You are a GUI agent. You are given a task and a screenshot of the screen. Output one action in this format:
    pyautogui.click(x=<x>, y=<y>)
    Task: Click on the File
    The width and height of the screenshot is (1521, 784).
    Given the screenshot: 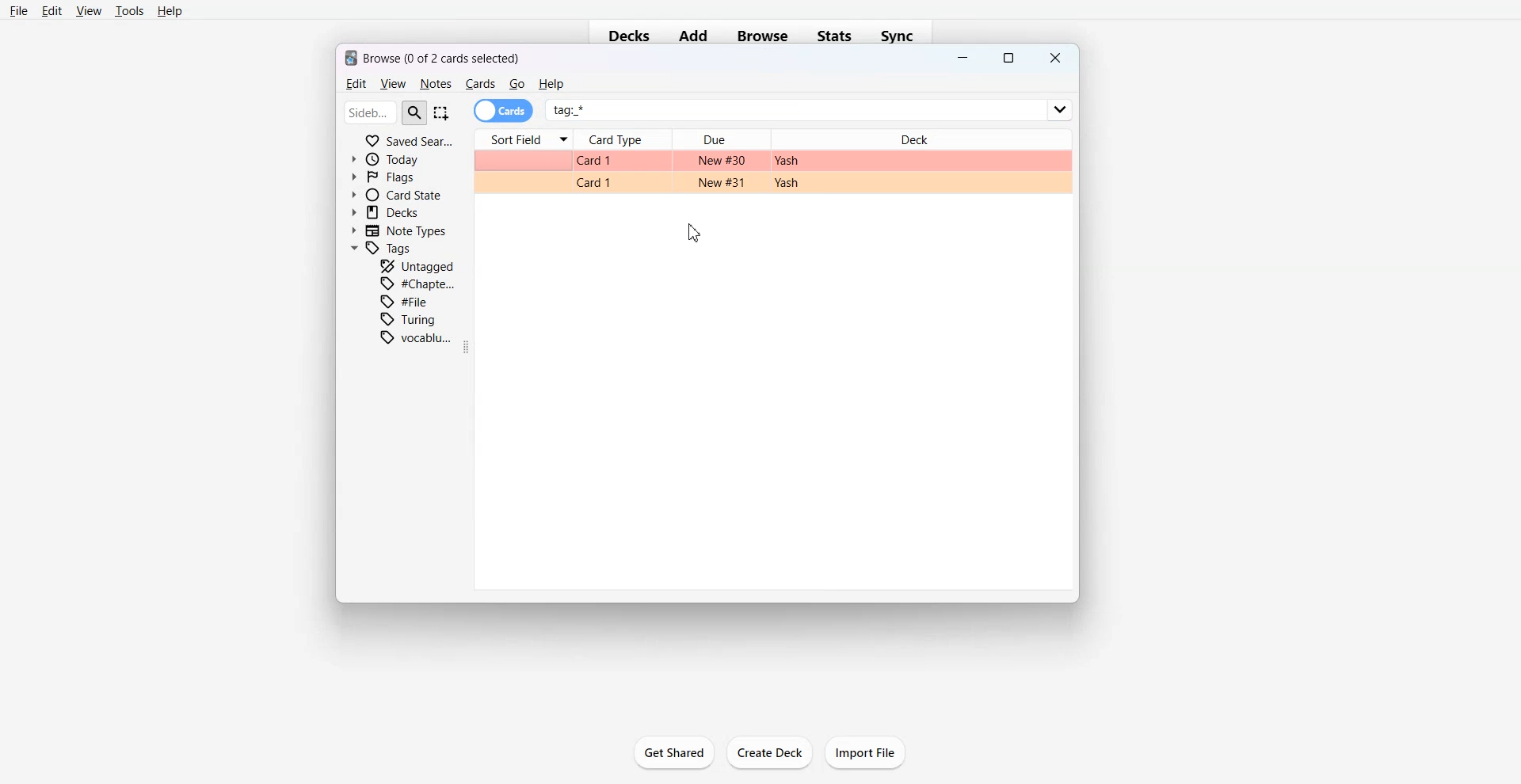 What is the action you would take?
    pyautogui.click(x=408, y=301)
    